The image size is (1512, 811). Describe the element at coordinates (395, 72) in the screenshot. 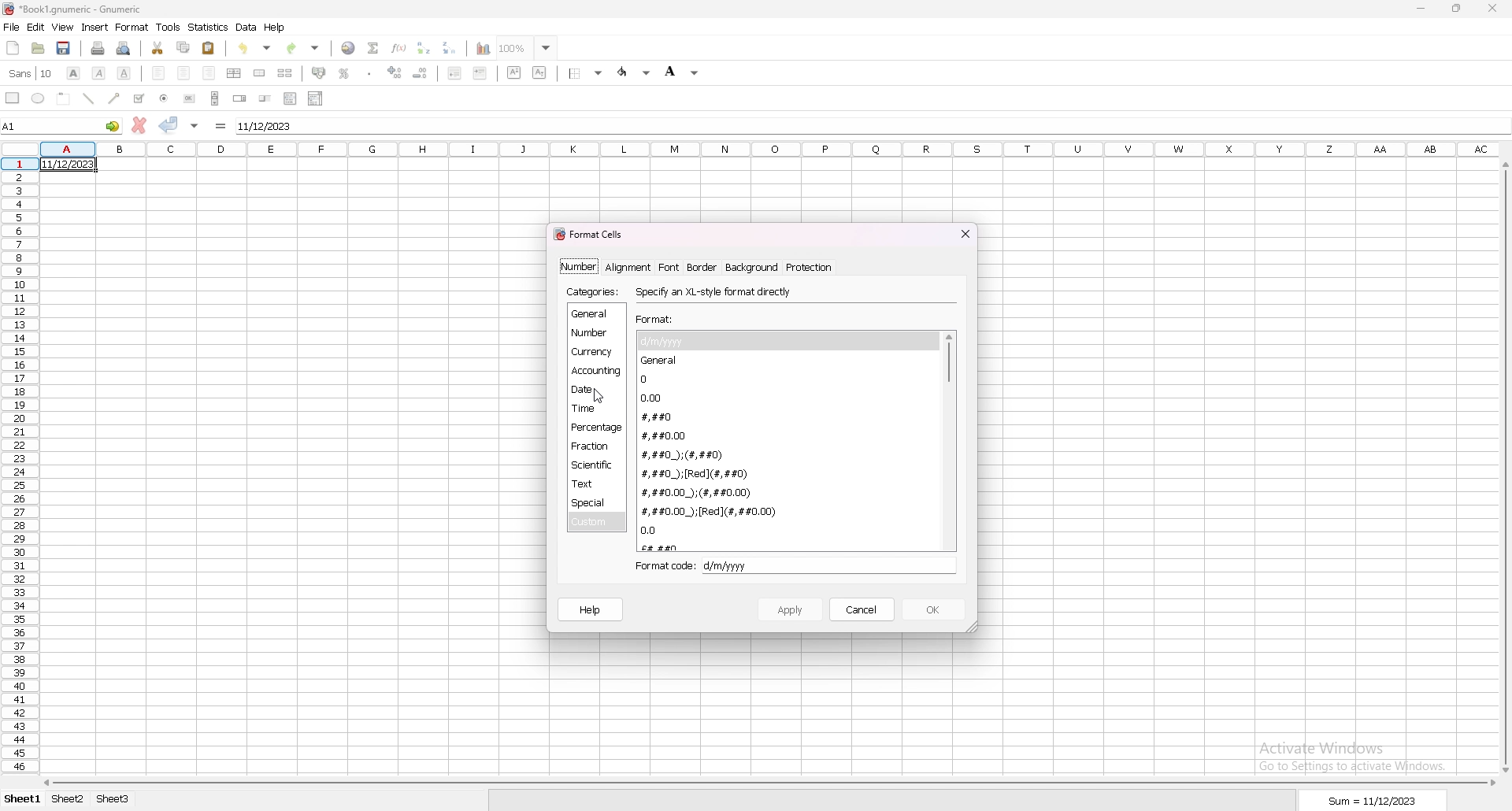

I see `increase indent` at that location.